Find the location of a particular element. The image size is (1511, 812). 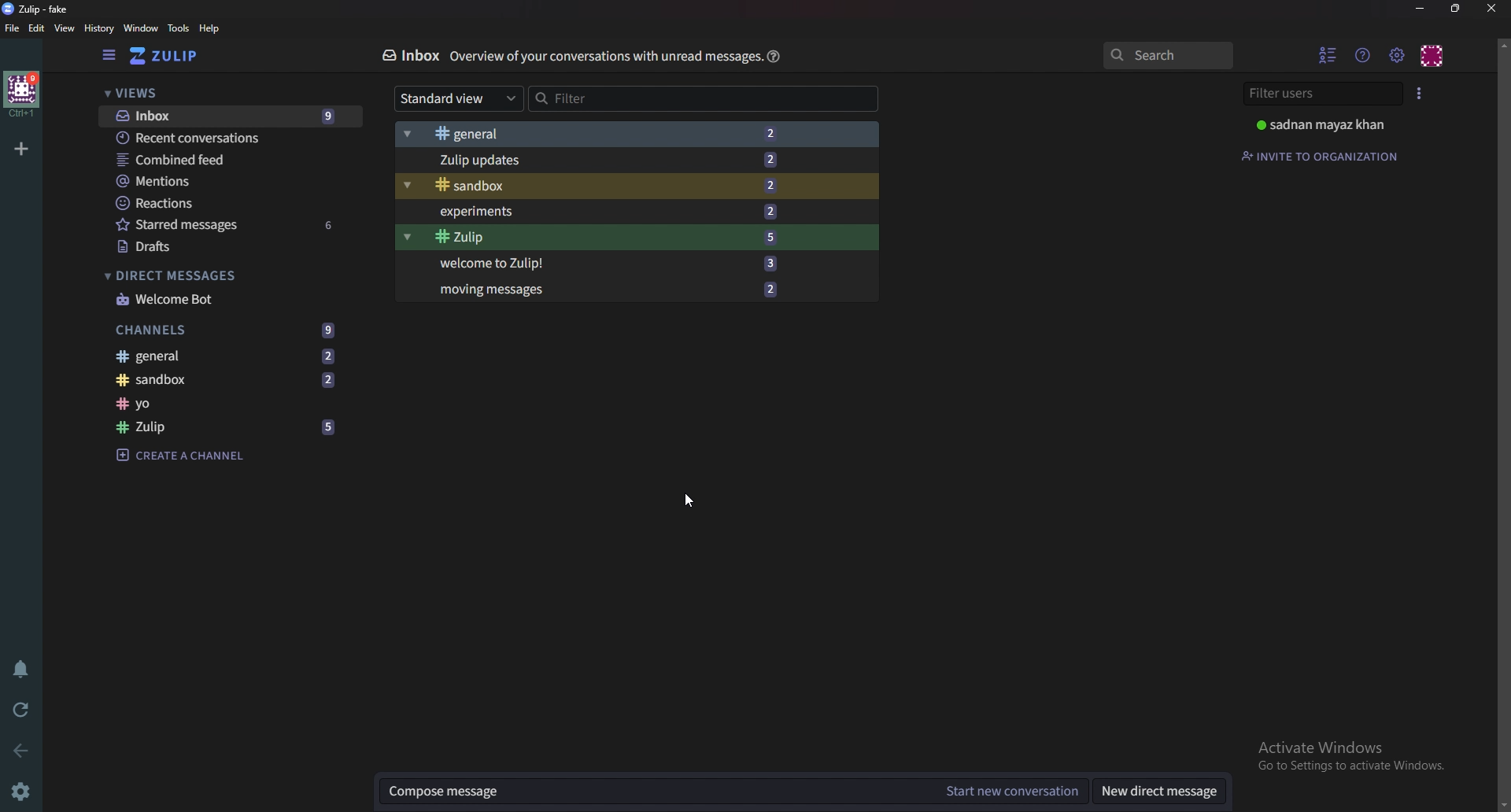

General is located at coordinates (232, 357).